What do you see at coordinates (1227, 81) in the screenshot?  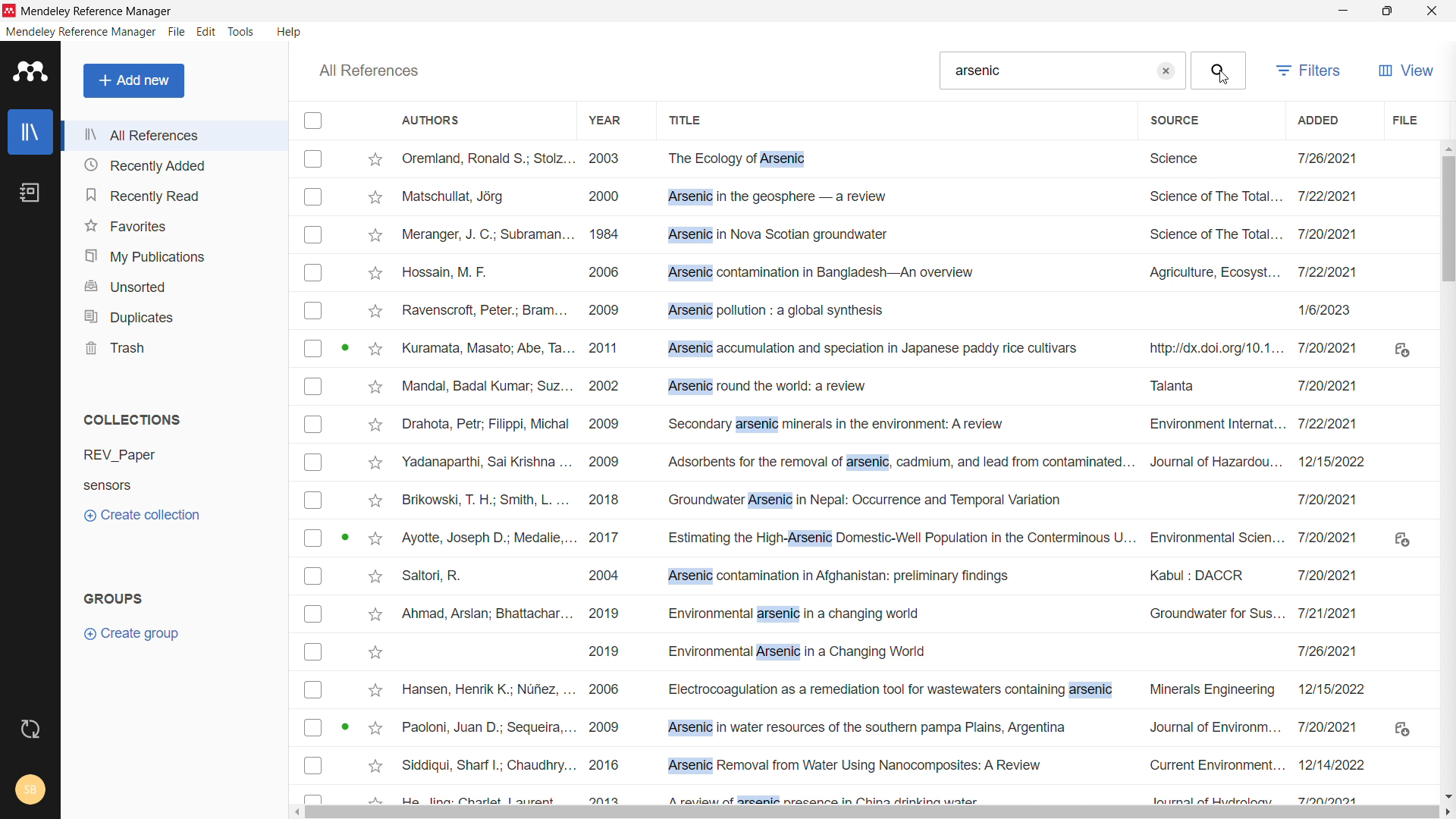 I see `Cursor` at bounding box center [1227, 81].